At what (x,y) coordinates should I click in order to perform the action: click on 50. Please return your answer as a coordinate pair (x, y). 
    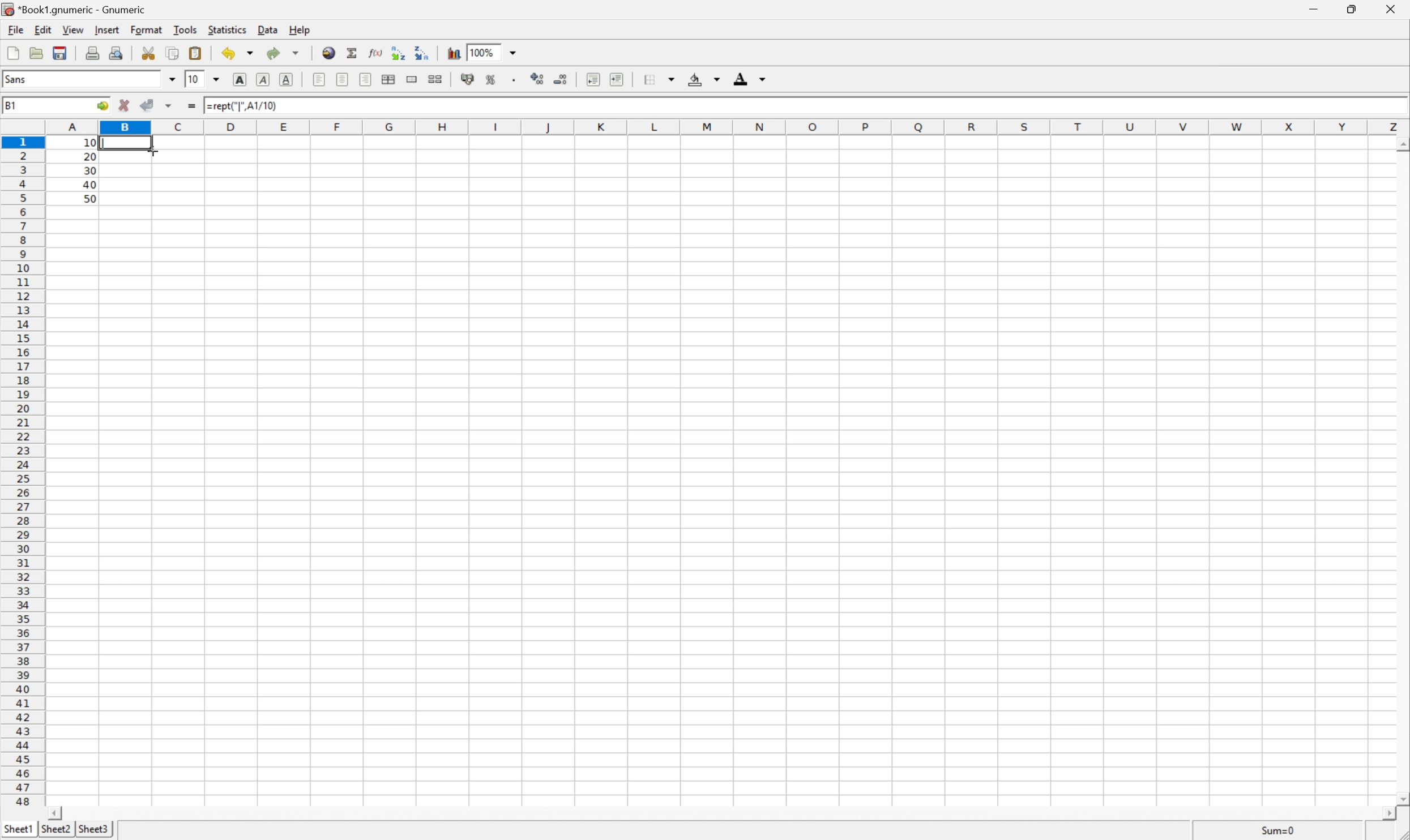
    Looking at the image, I should click on (90, 199).